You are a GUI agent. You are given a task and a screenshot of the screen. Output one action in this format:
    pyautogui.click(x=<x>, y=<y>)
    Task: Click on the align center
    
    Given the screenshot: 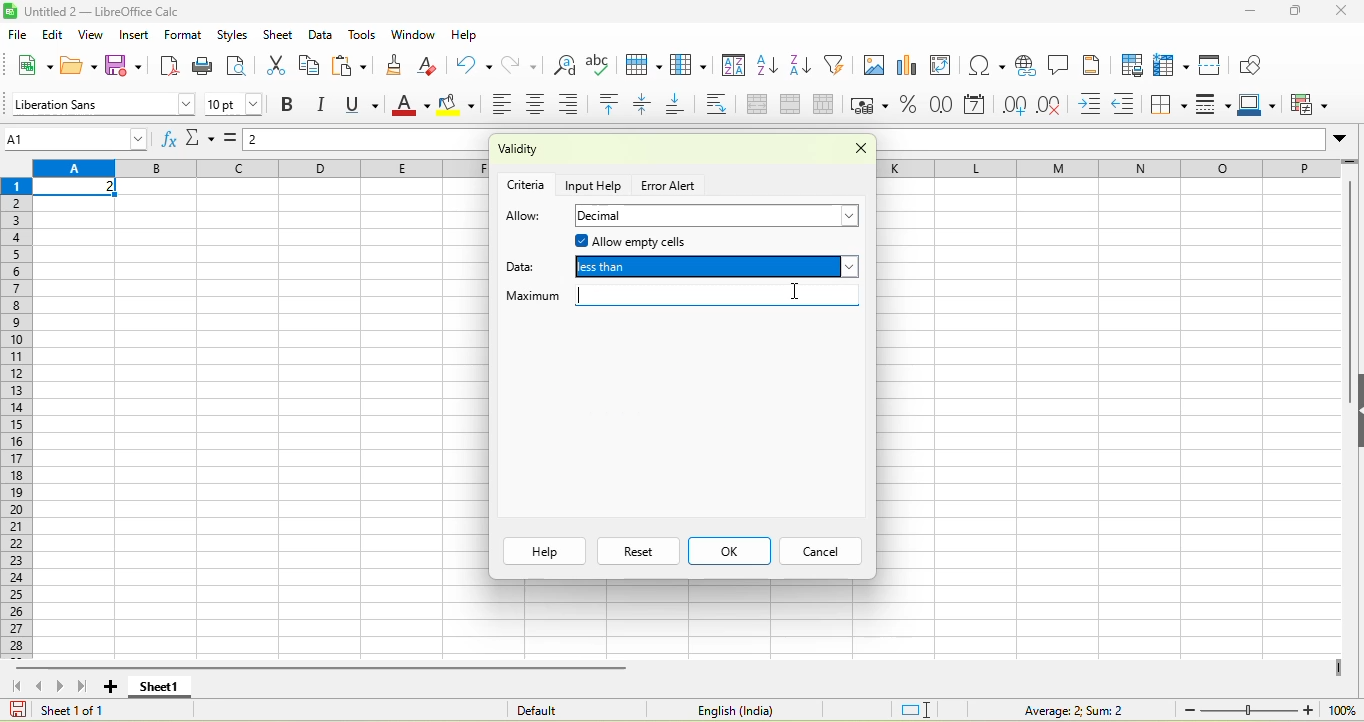 What is the action you would take?
    pyautogui.click(x=539, y=106)
    